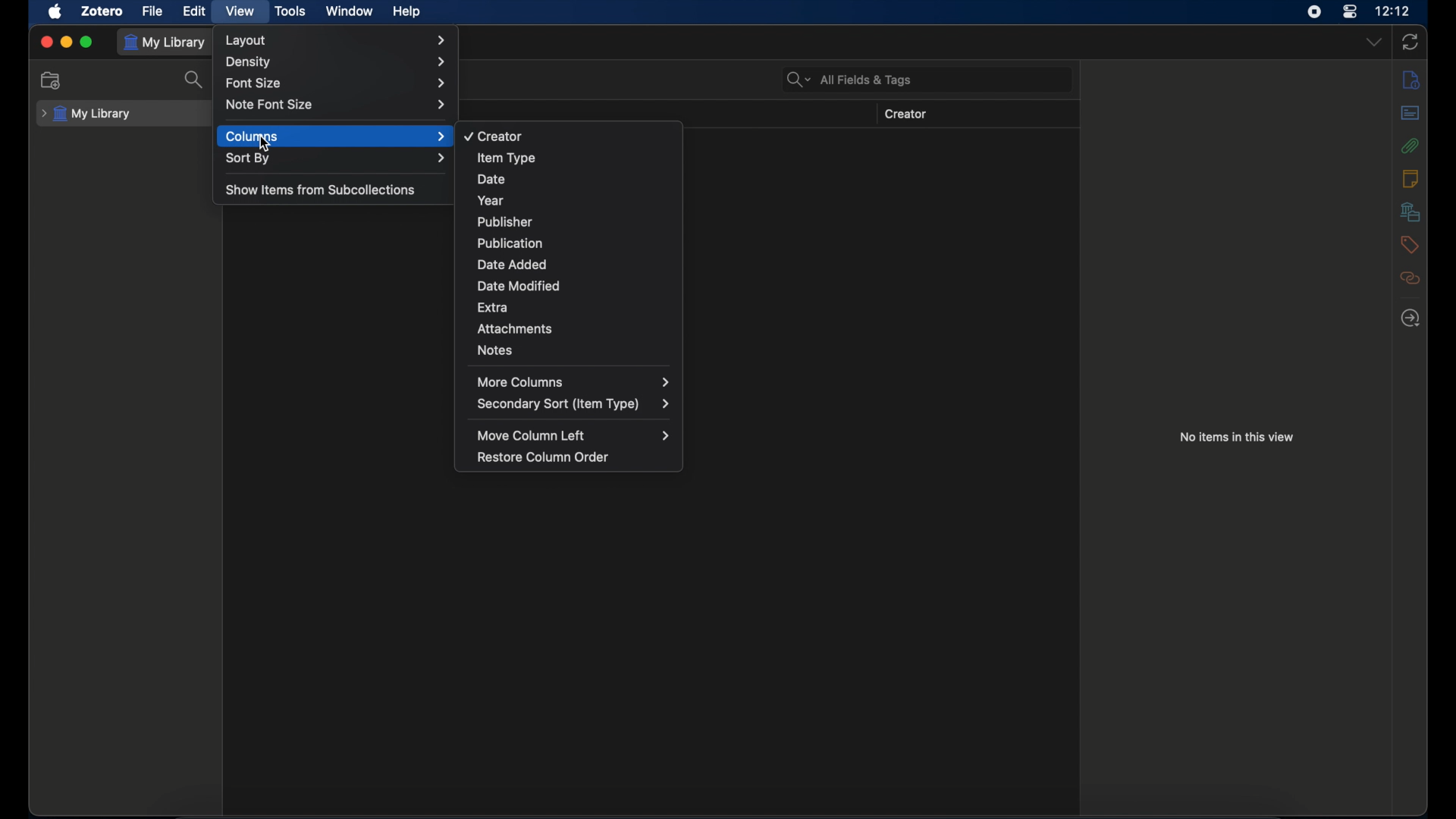 This screenshot has height=819, width=1456. I want to click on date, so click(491, 180).